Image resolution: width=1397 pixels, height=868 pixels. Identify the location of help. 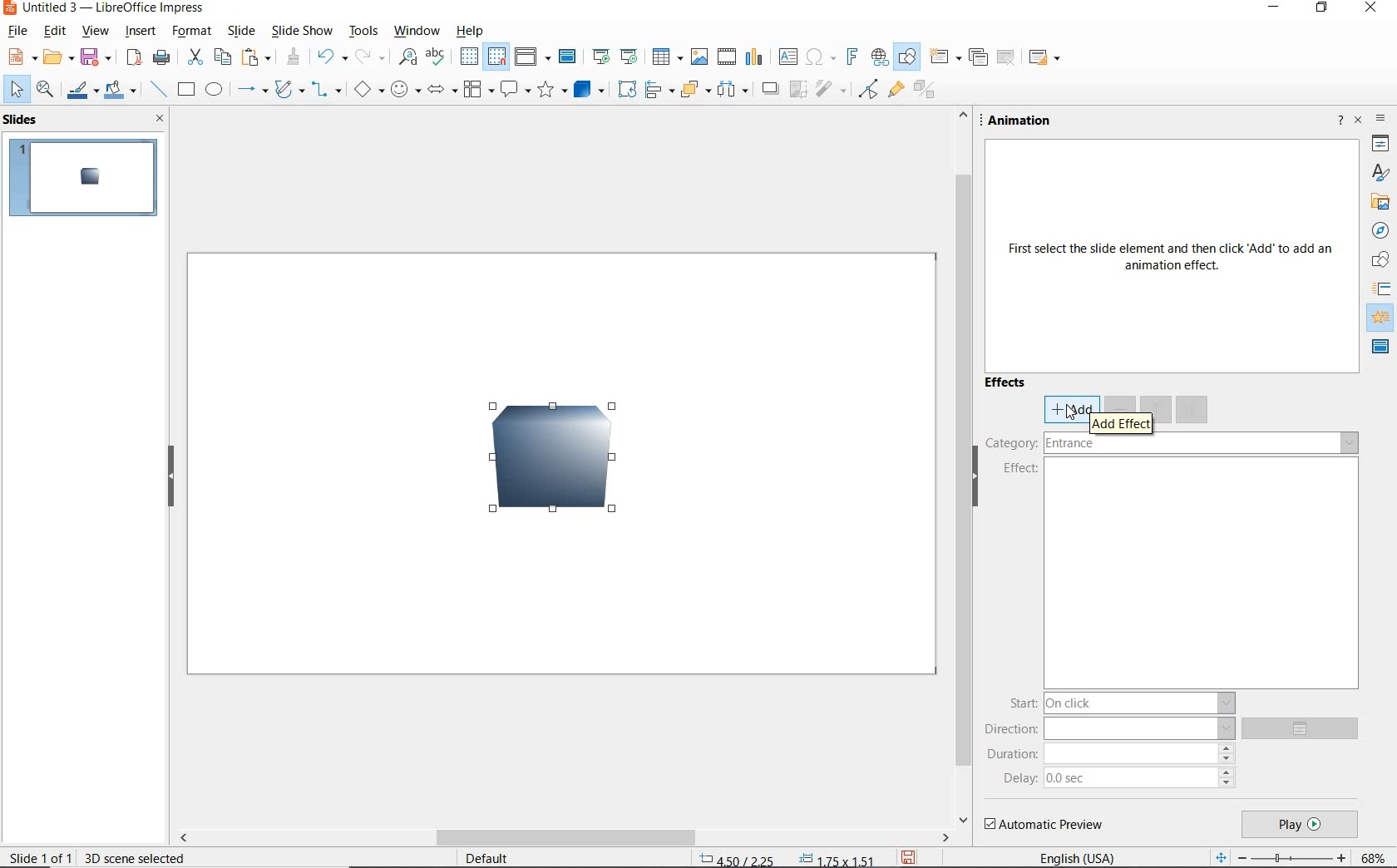
(467, 32).